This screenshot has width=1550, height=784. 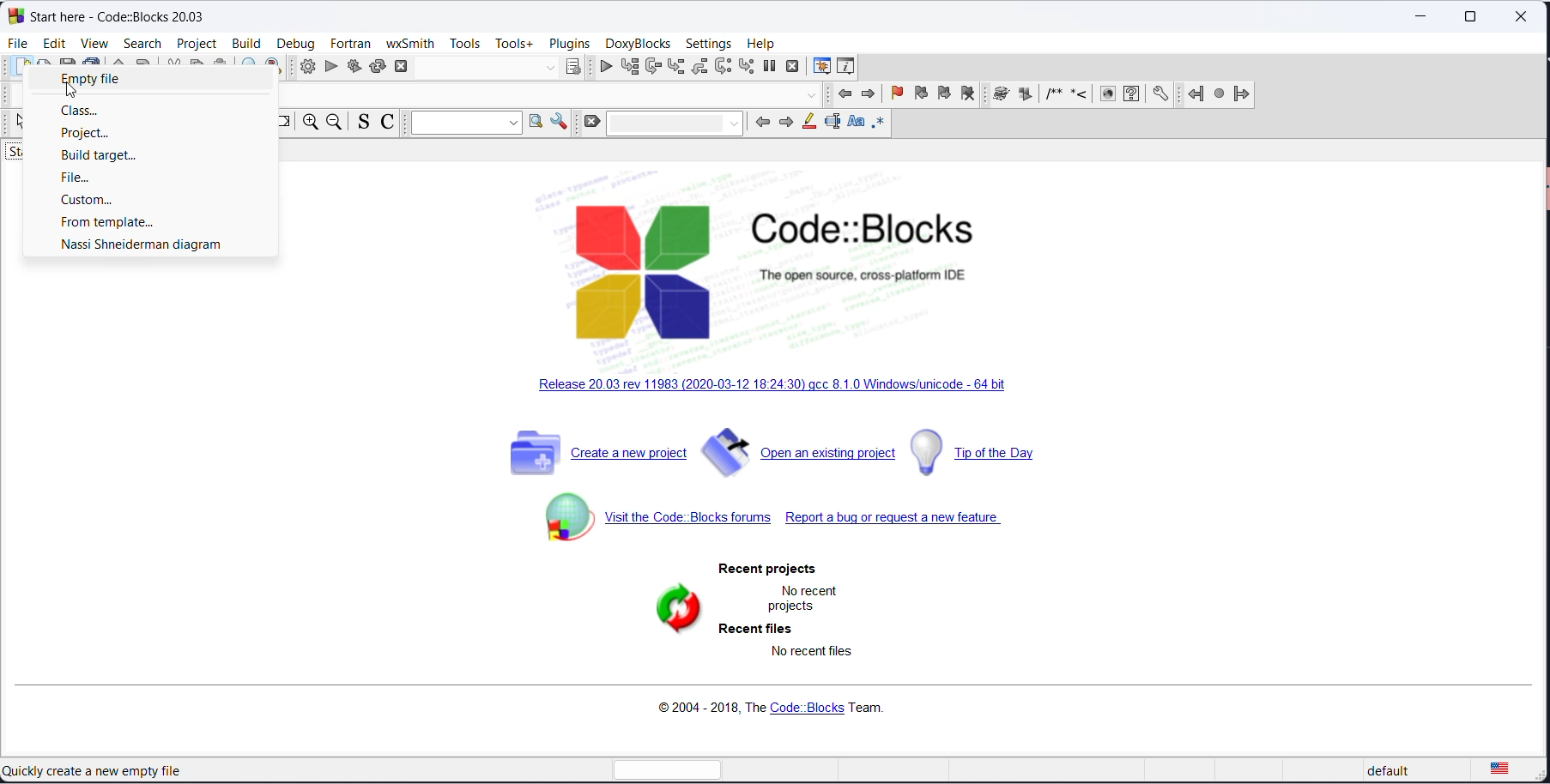 What do you see at coordinates (763, 43) in the screenshot?
I see `help` at bounding box center [763, 43].